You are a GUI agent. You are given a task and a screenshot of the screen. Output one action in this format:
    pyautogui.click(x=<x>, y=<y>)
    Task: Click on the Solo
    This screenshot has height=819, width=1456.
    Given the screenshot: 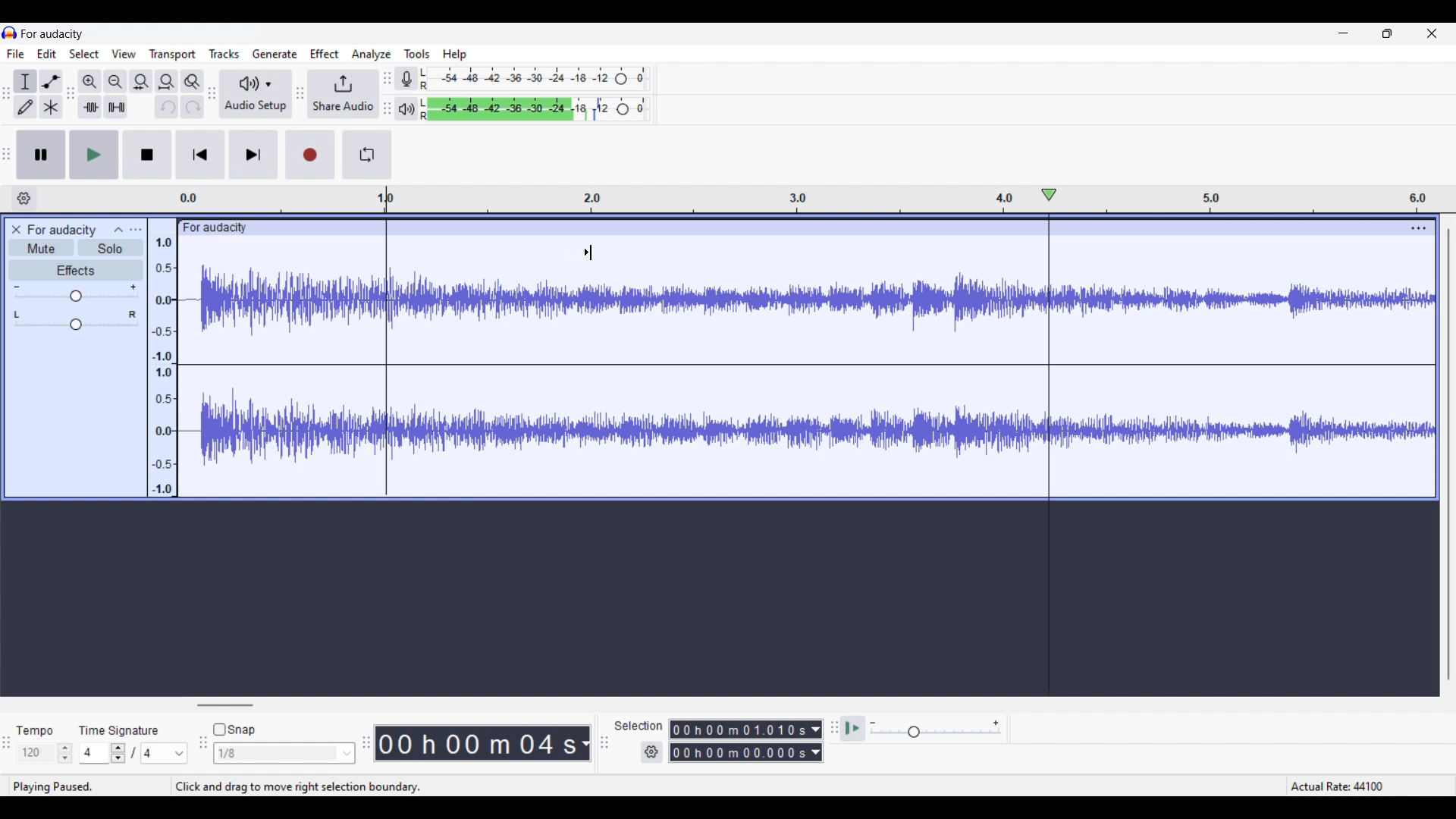 What is the action you would take?
    pyautogui.click(x=111, y=248)
    